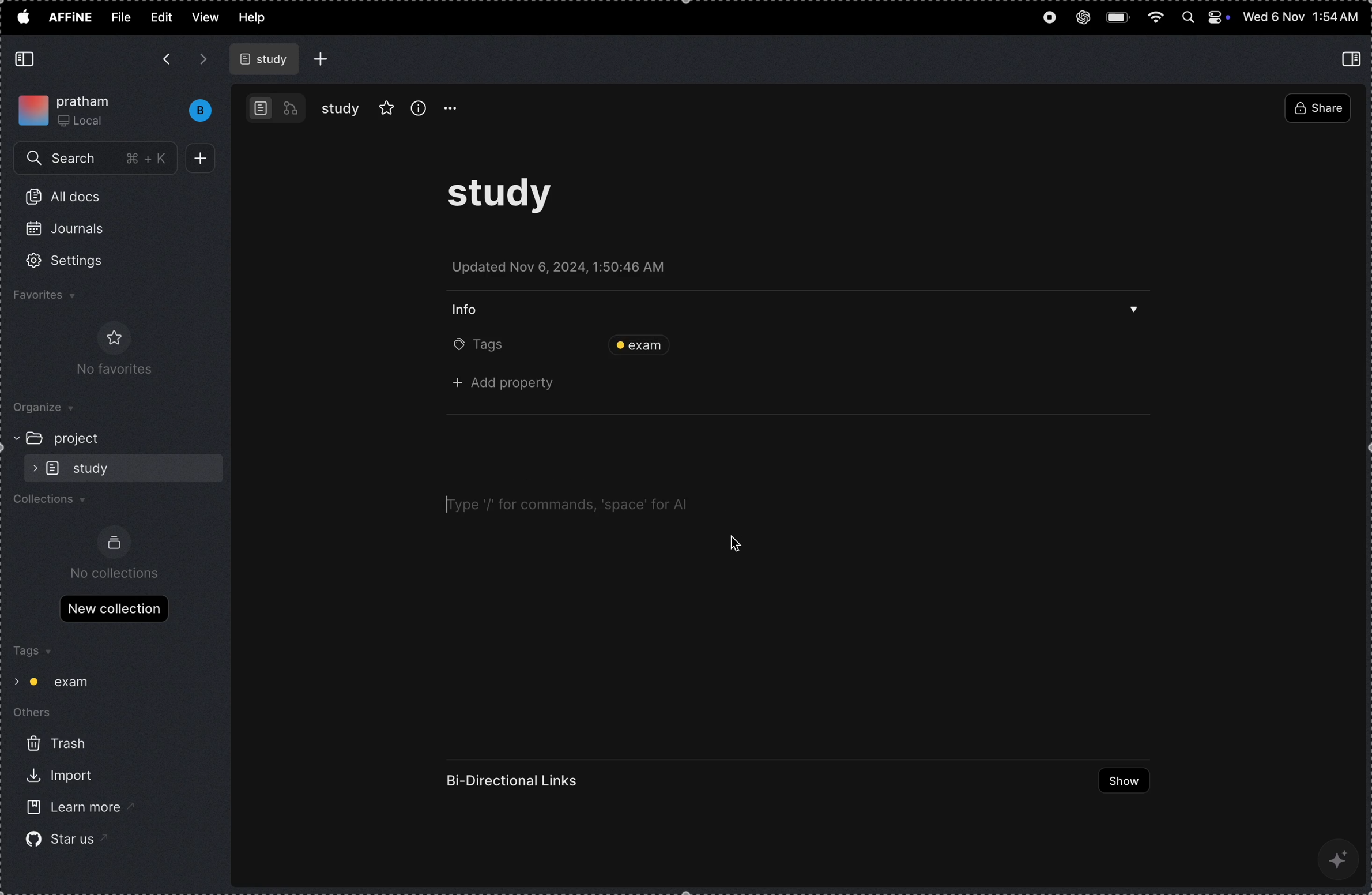 The height and width of the screenshot is (895, 1372). Describe the element at coordinates (1120, 16) in the screenshot. I see `battery` at that location.